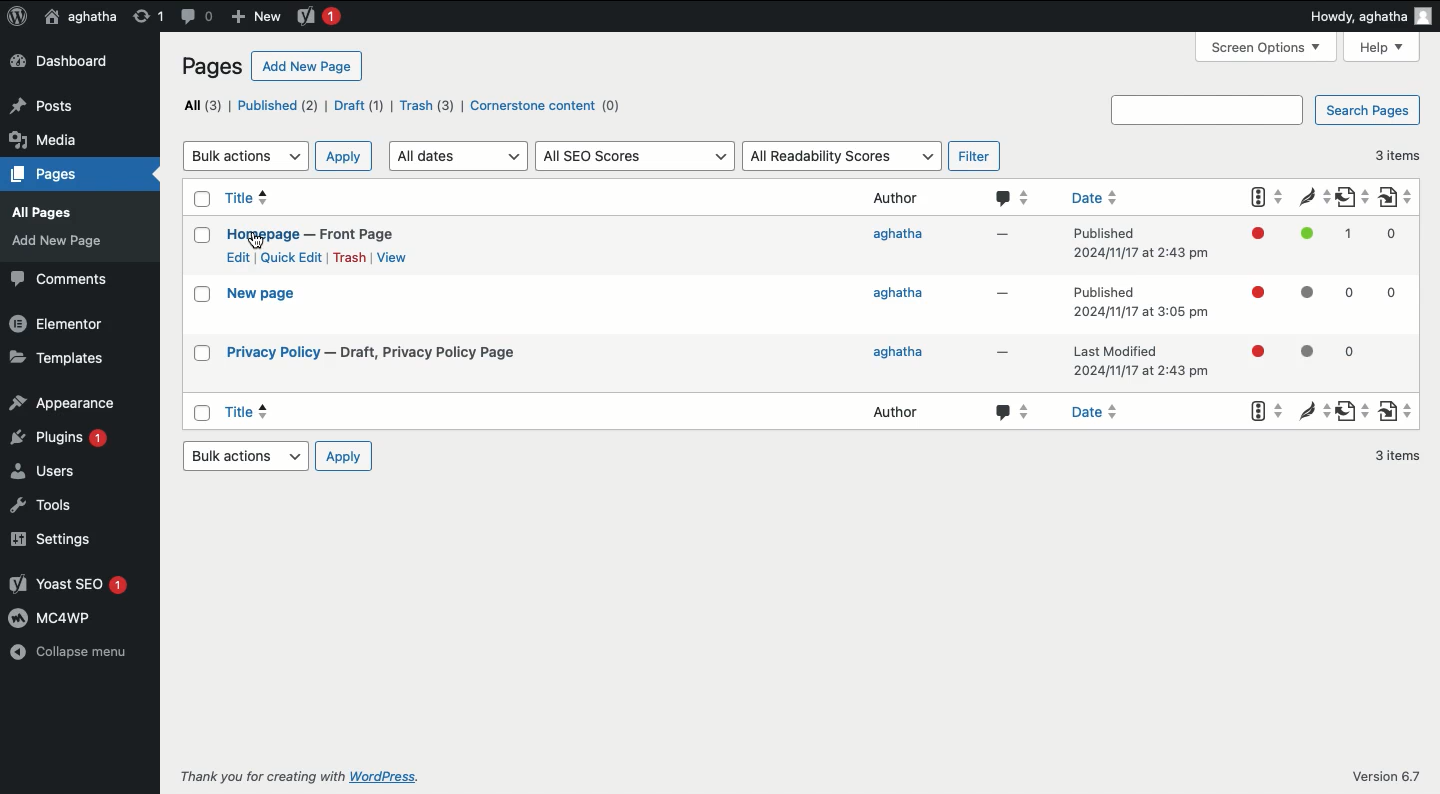 The height and width of the screenshot is (794, 1440). Describe the element at coordinates (546, 104) in the screenshot. I see `Cornerstone content` at that location.